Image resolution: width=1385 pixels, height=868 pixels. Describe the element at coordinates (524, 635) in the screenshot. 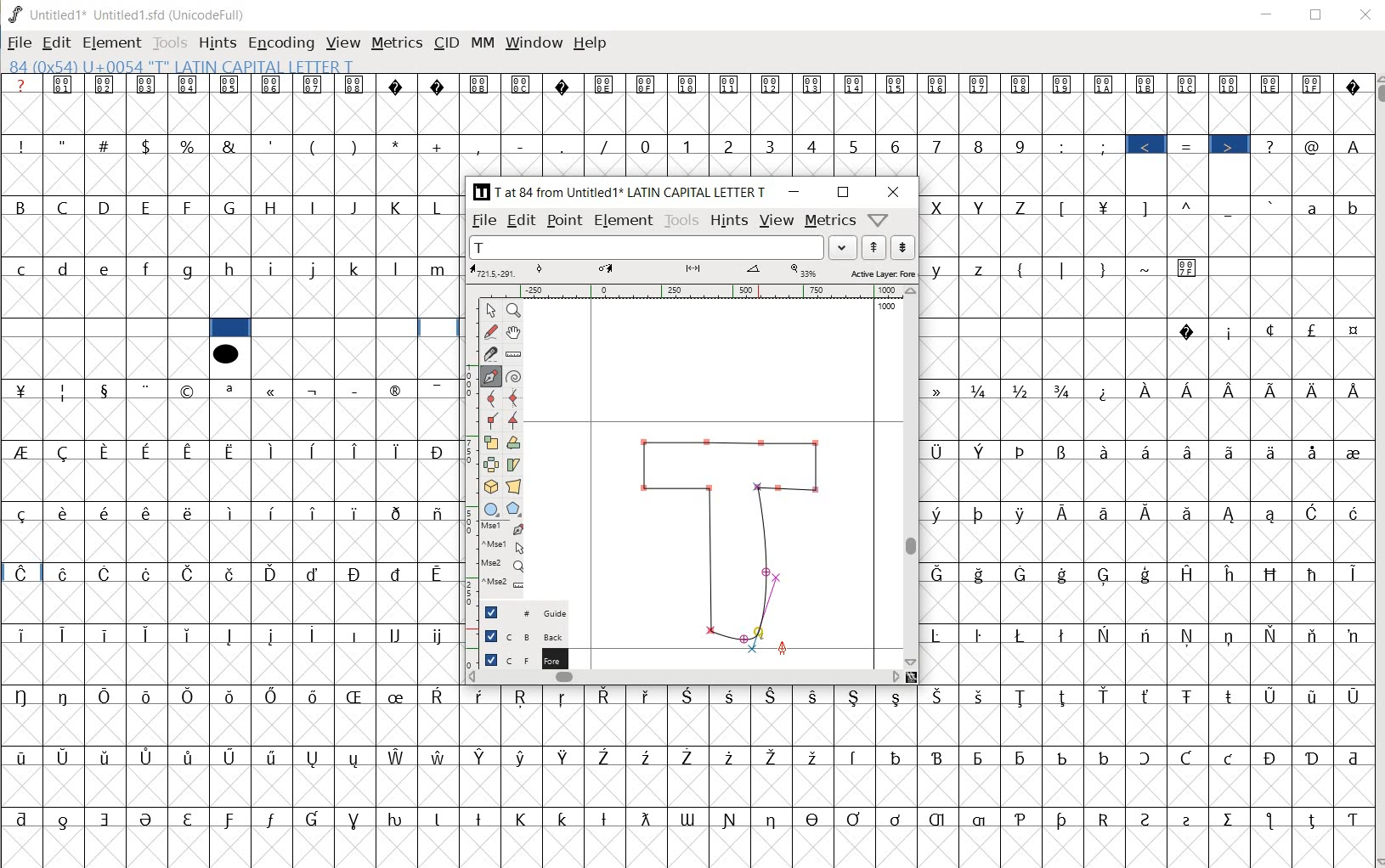

I see `background layer` at that location.